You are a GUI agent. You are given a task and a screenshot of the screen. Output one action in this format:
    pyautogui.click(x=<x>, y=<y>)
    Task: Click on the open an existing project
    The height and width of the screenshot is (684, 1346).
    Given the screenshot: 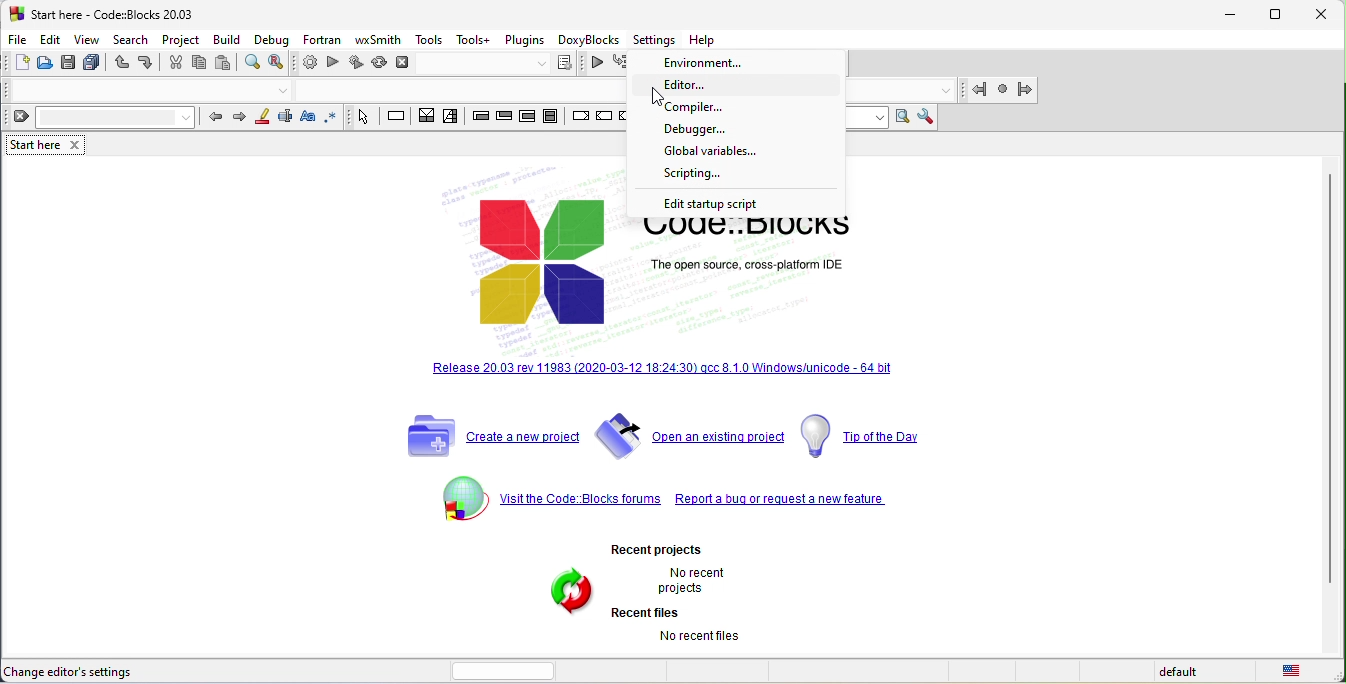 What is the action you would take?
    pyautogui.click(x=686, y=435)
    